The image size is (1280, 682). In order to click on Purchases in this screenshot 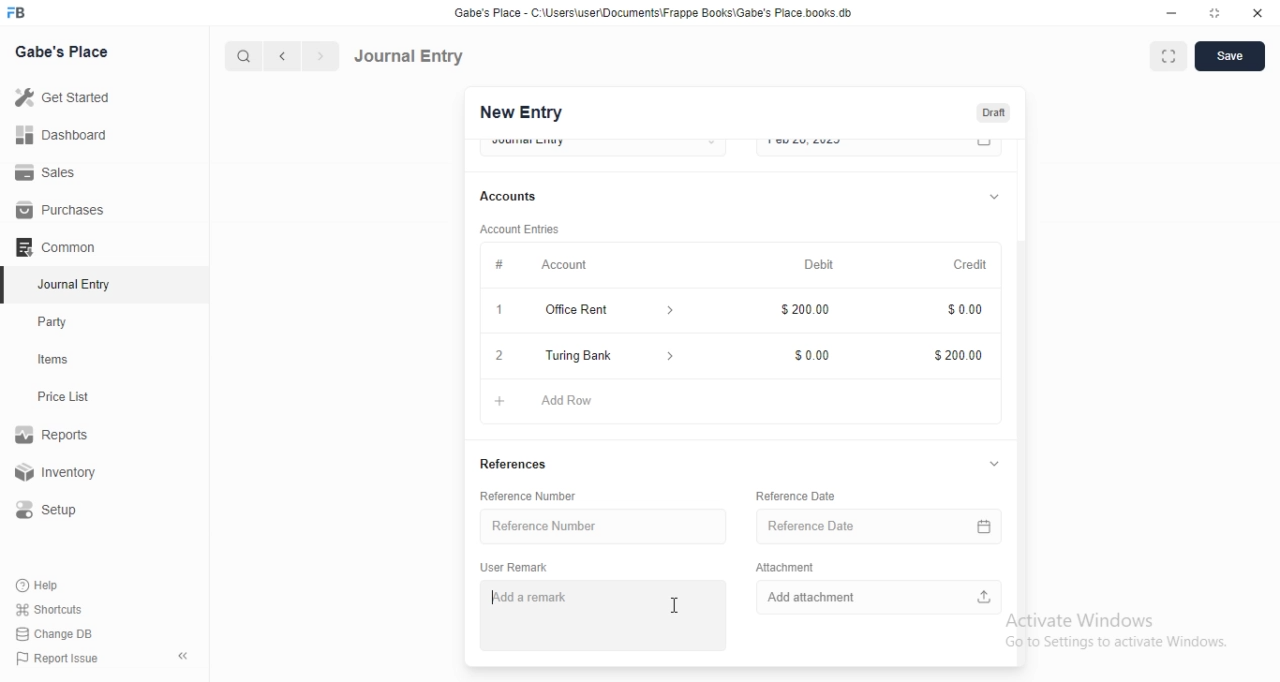, I will do `click(61, 210)`.